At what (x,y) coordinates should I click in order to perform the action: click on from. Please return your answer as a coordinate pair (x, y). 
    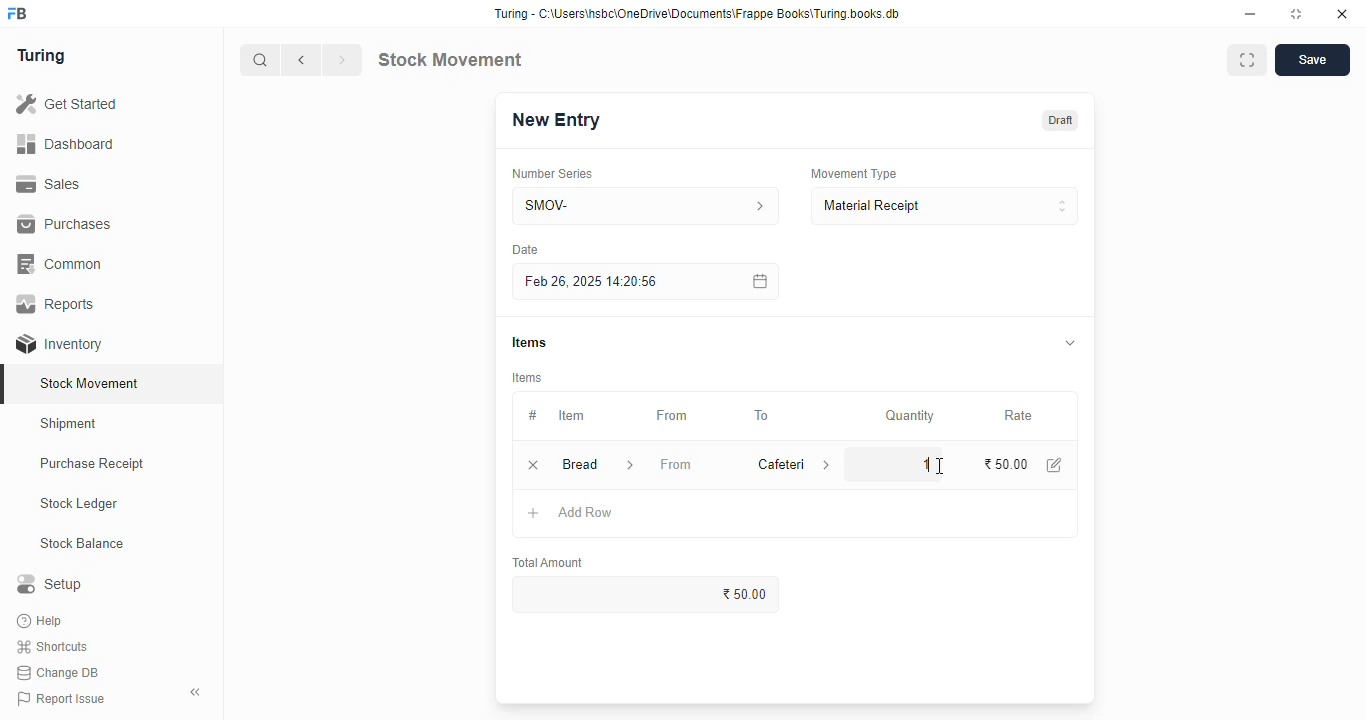
    Looking at the image, I should click on (673, 416).